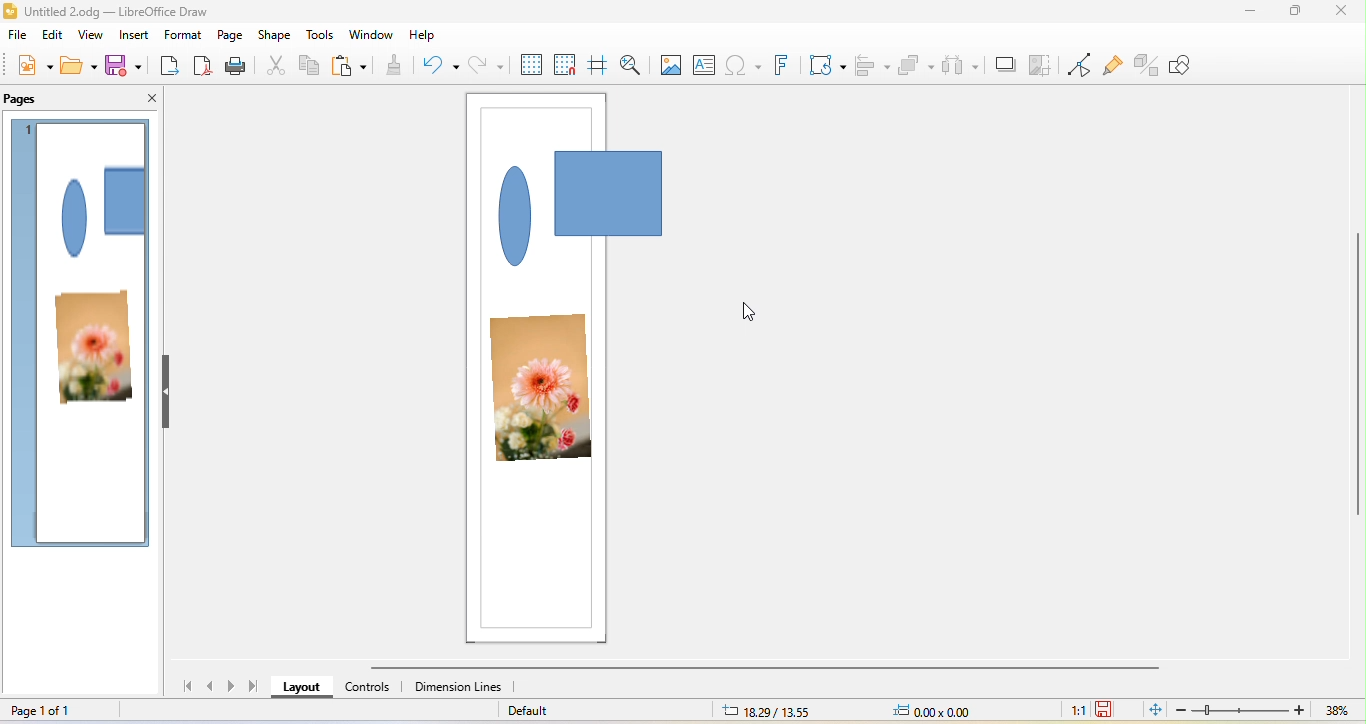 The width and height of the screenshot is (1366, 724). I want to click on photo, so click(92, 350).